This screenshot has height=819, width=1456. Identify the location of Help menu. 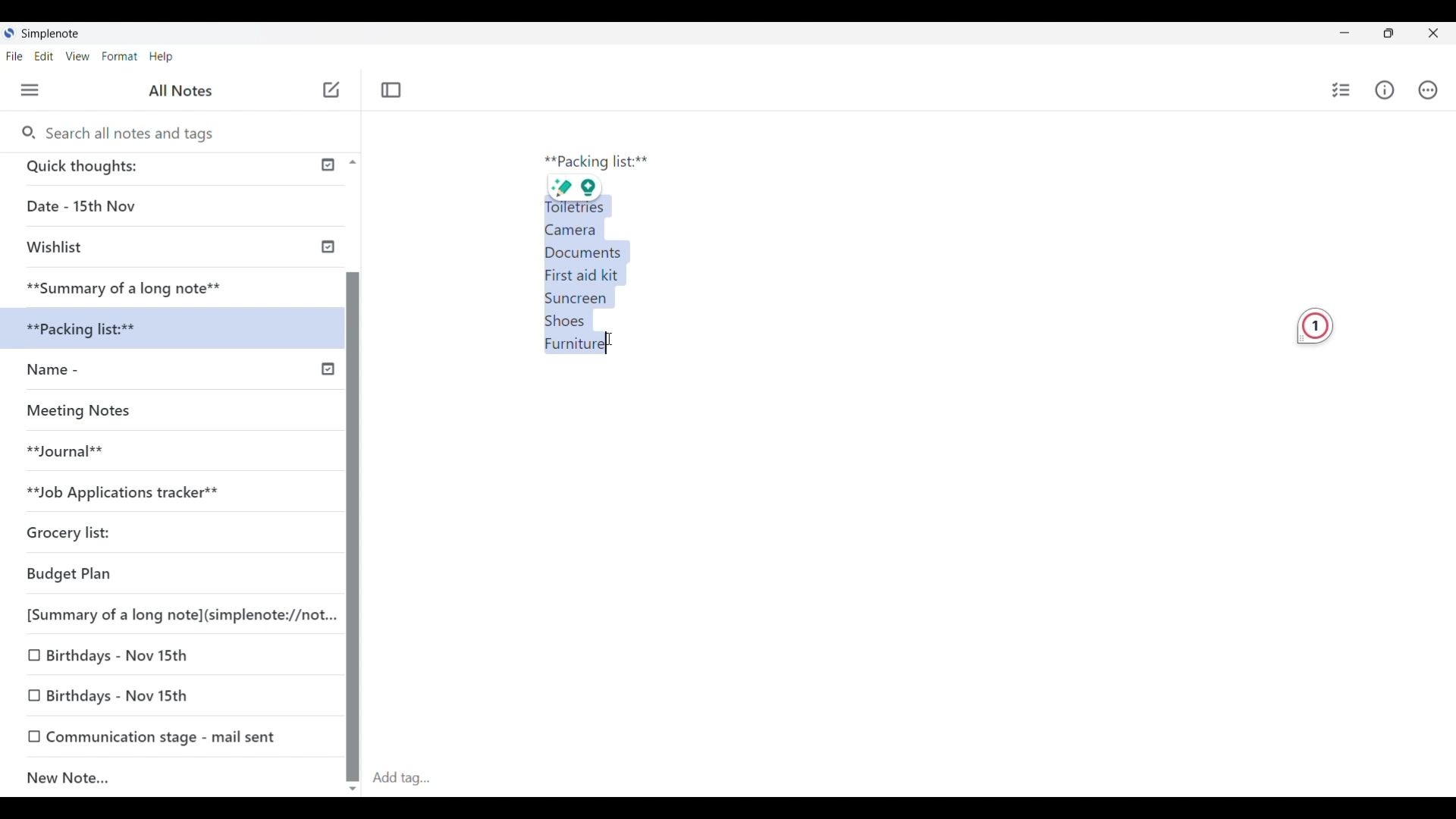
(162, 56).